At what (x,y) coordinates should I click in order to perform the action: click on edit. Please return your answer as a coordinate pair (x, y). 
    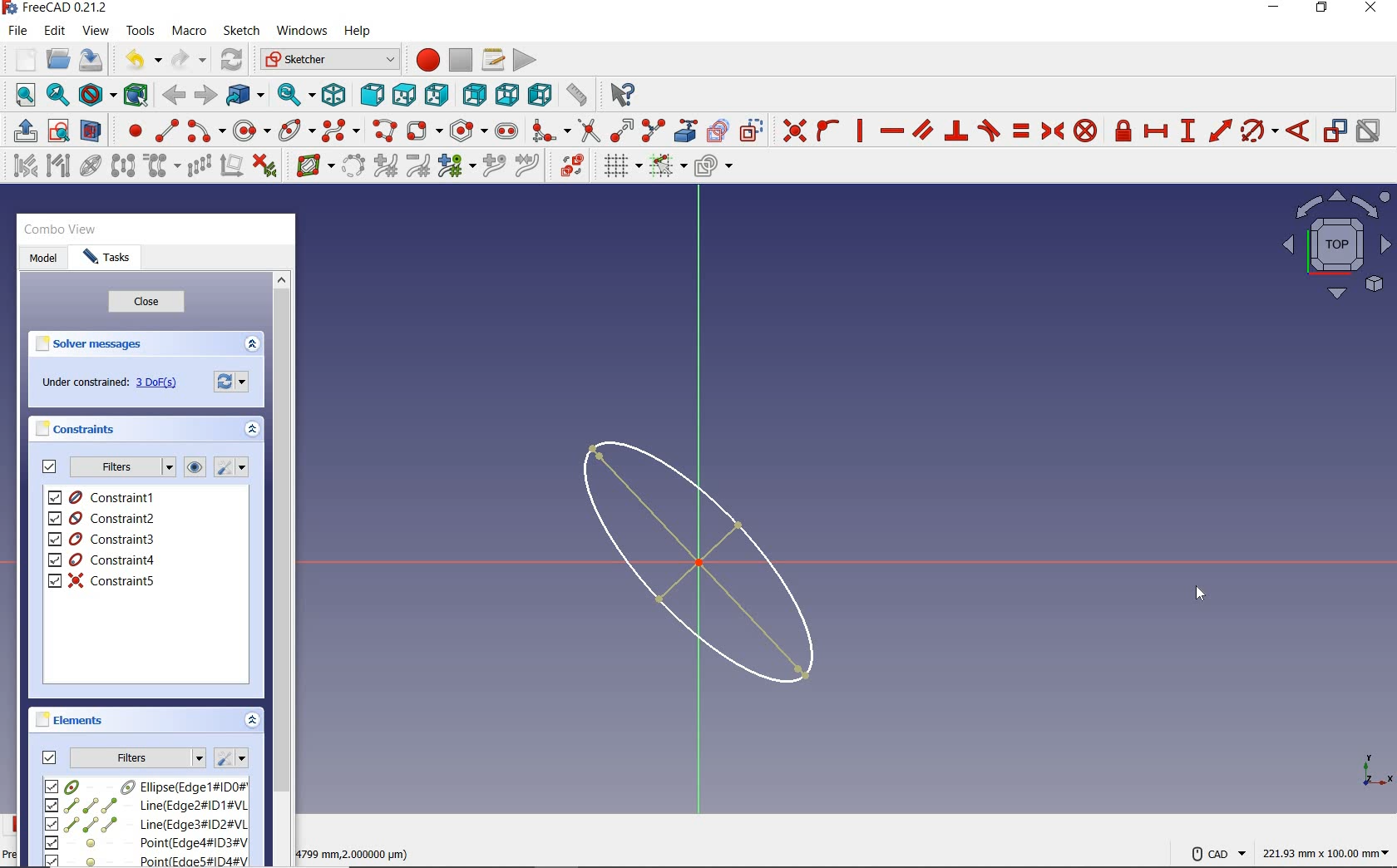
    Looking at the image, I should click on (54, 32).